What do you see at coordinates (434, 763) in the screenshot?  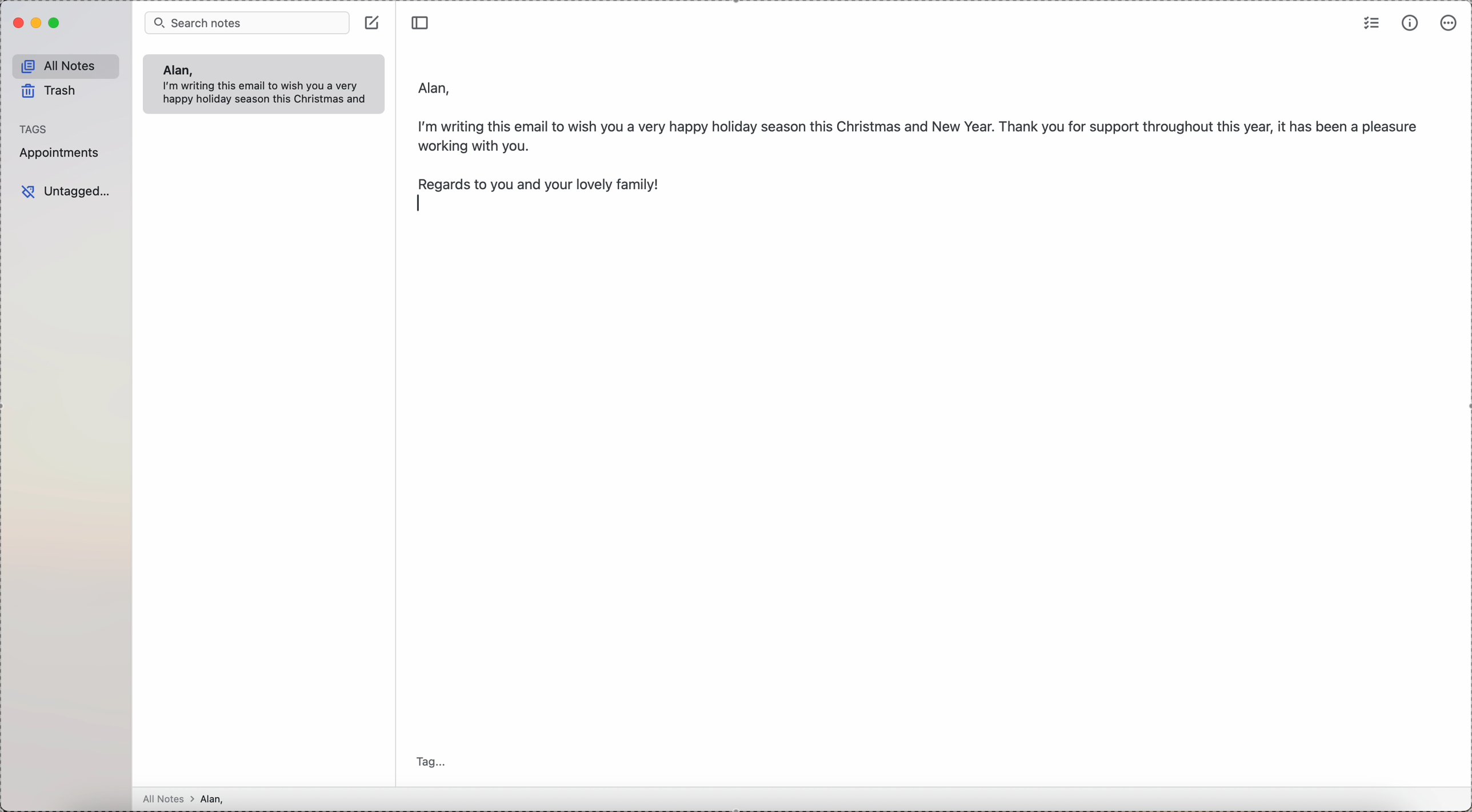 I see `tag` at bounding box center [434, 763].